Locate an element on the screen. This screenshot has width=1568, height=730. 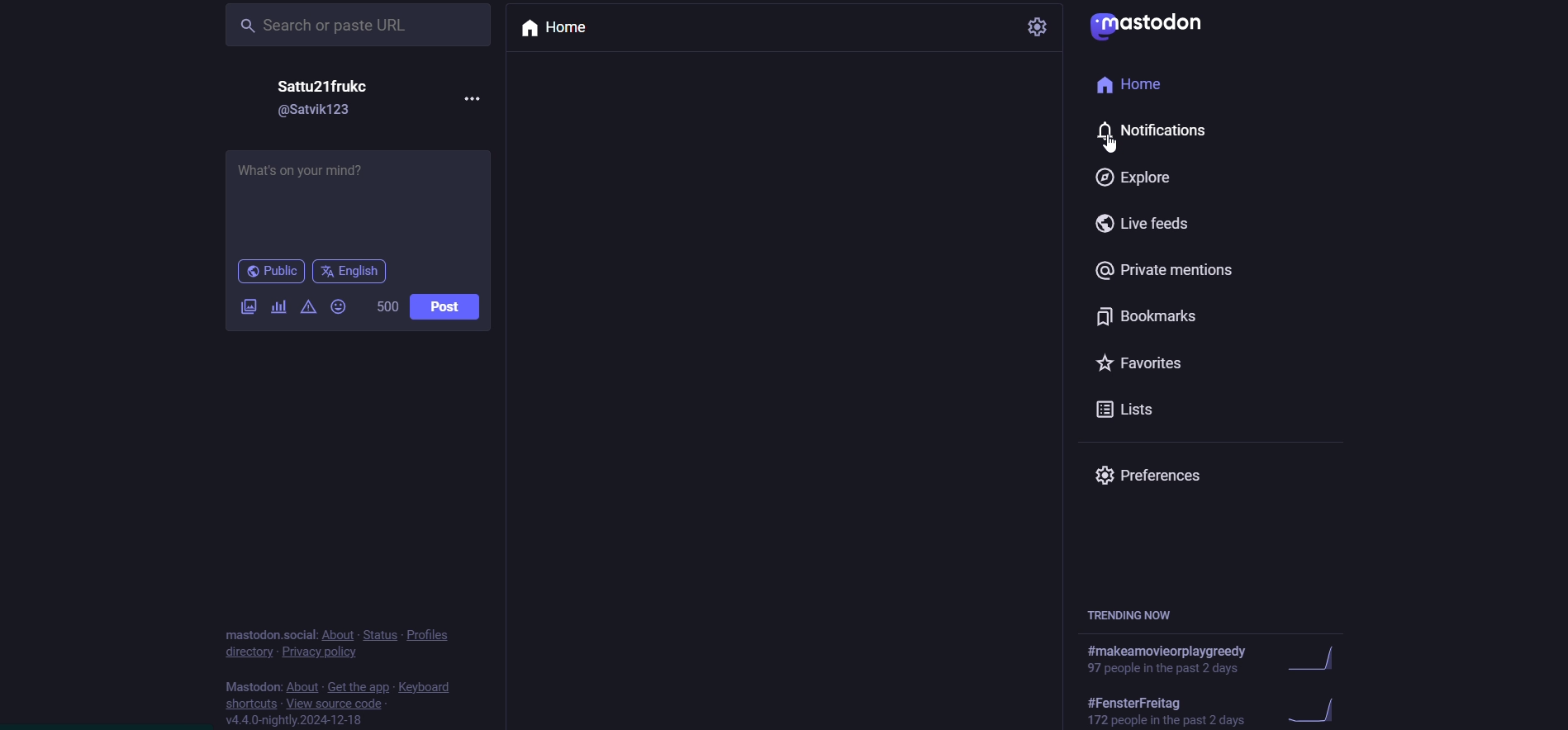
get the app is located at coordinates (361, 688).